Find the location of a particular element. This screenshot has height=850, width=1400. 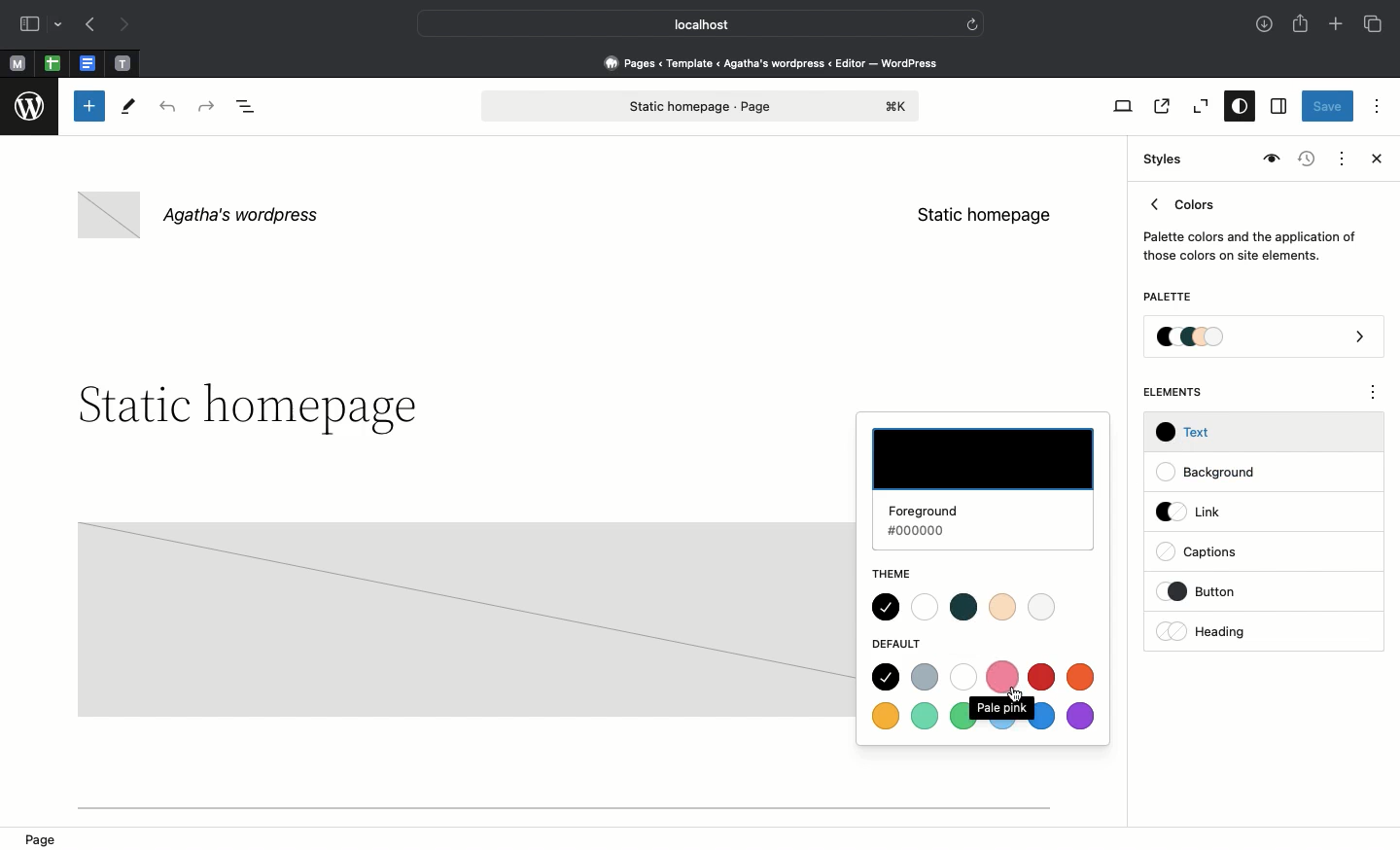

Add new tab is located at coordinates (1338, 26).